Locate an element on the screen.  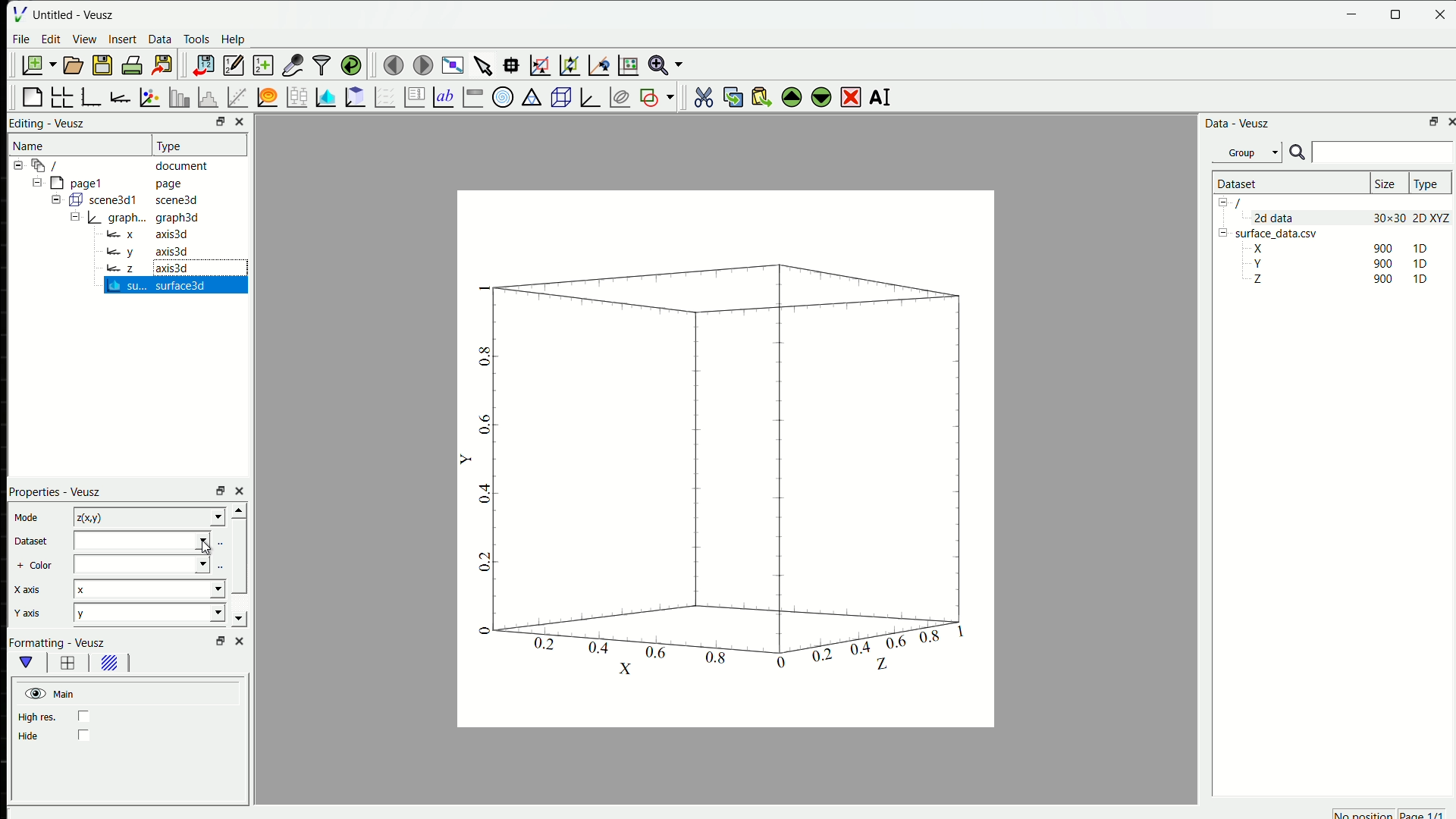
ternary graph is located at coordinates (534, 96).